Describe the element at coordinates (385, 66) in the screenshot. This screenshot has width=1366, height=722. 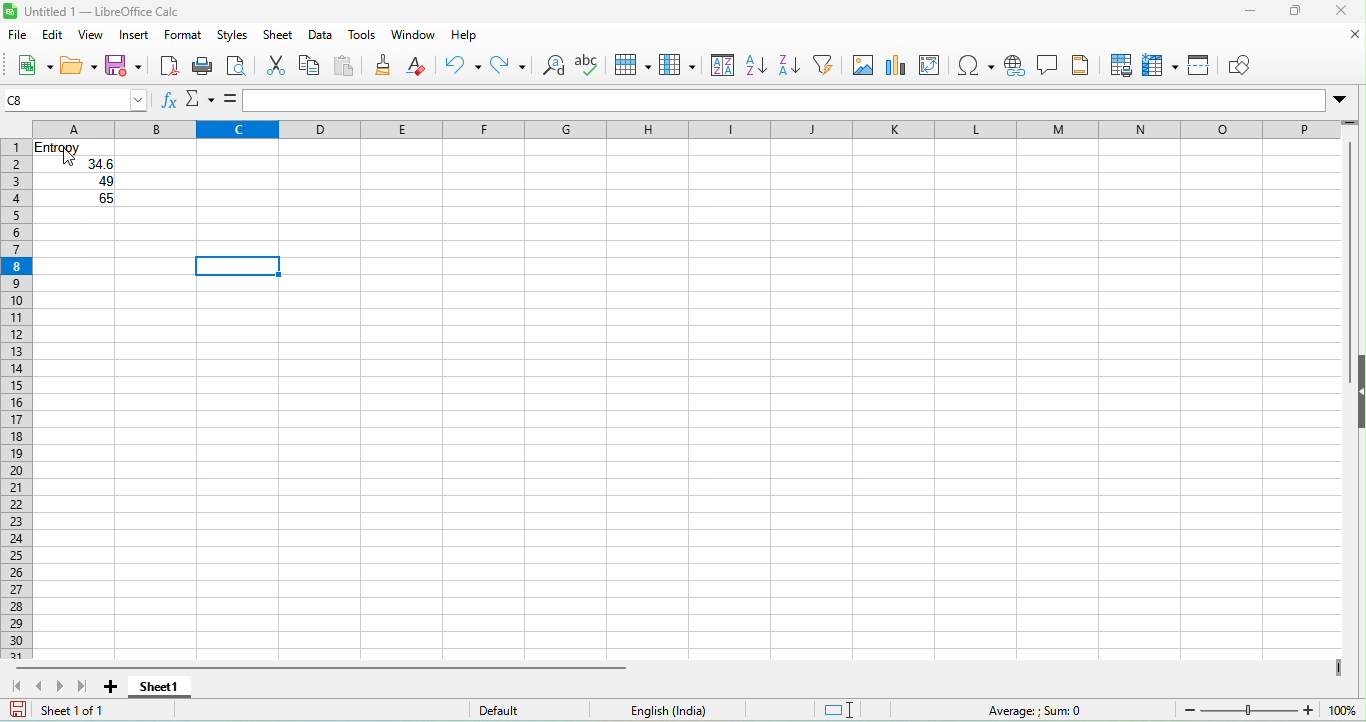
I see `clone formatting` at that location.